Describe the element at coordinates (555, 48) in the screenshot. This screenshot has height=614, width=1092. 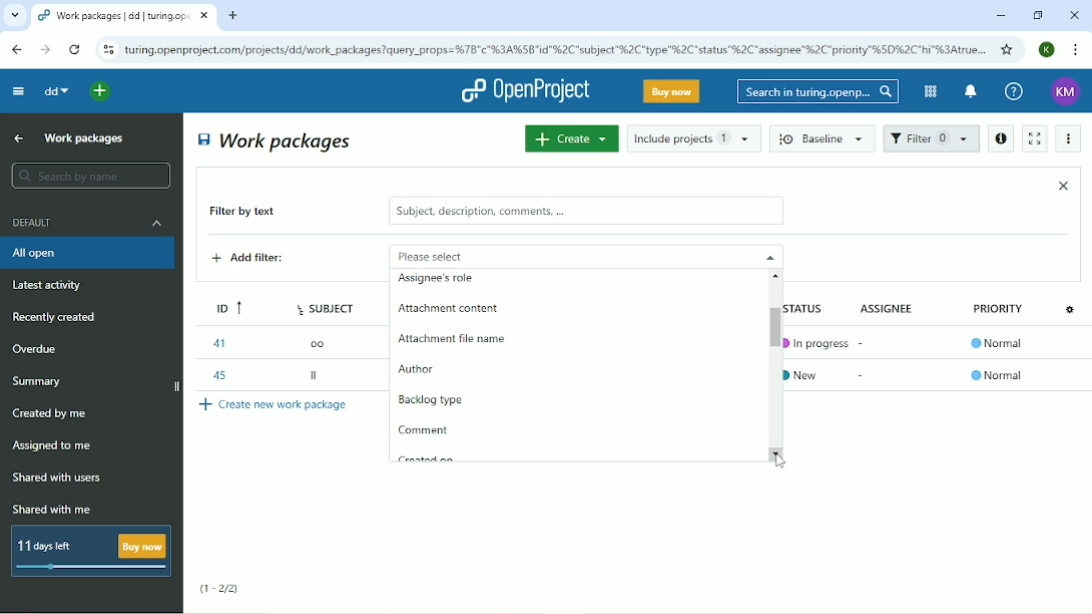
I see `Site address` at that location.